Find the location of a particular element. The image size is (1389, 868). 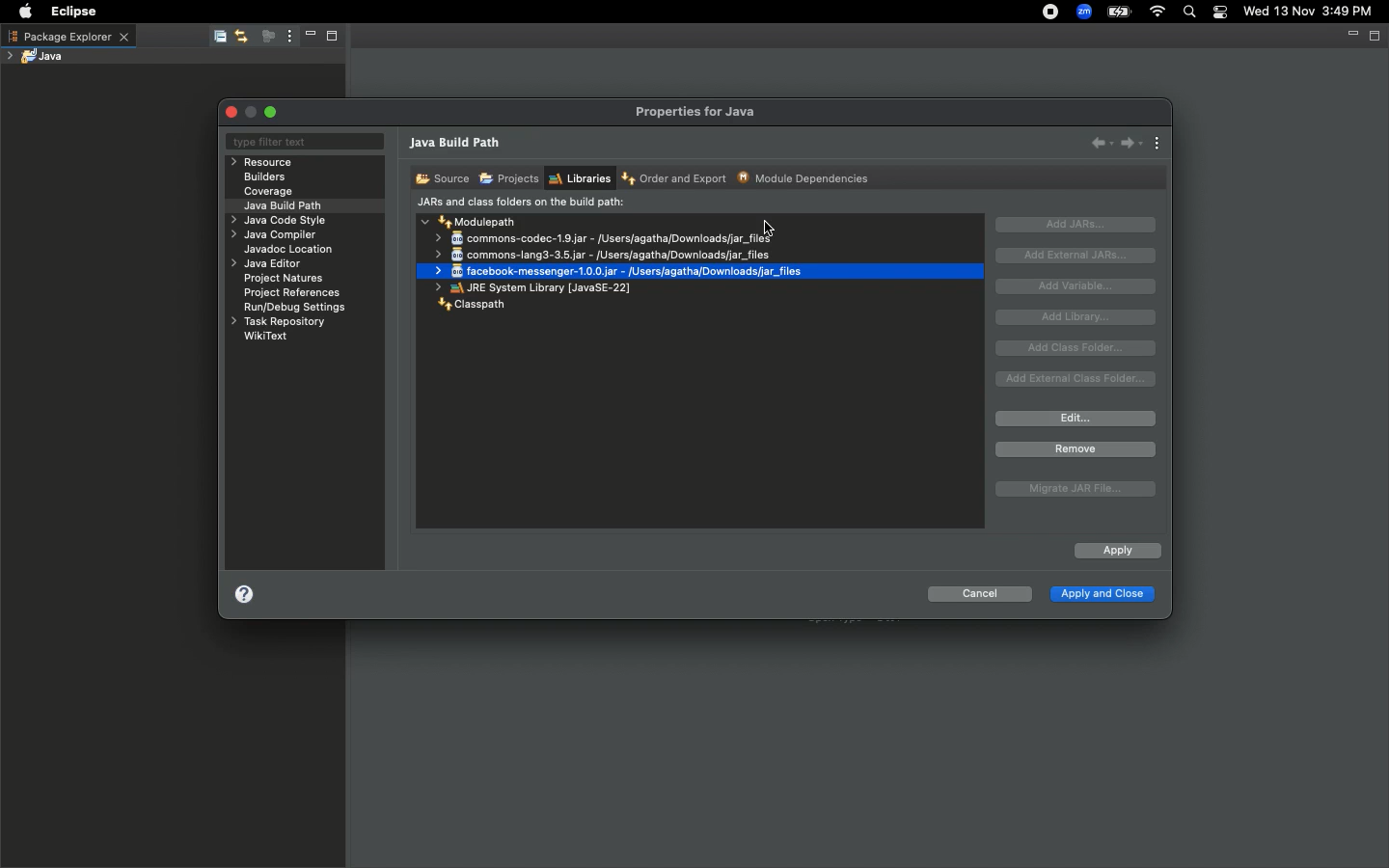

Project natures is located at coordinates (287, 281).